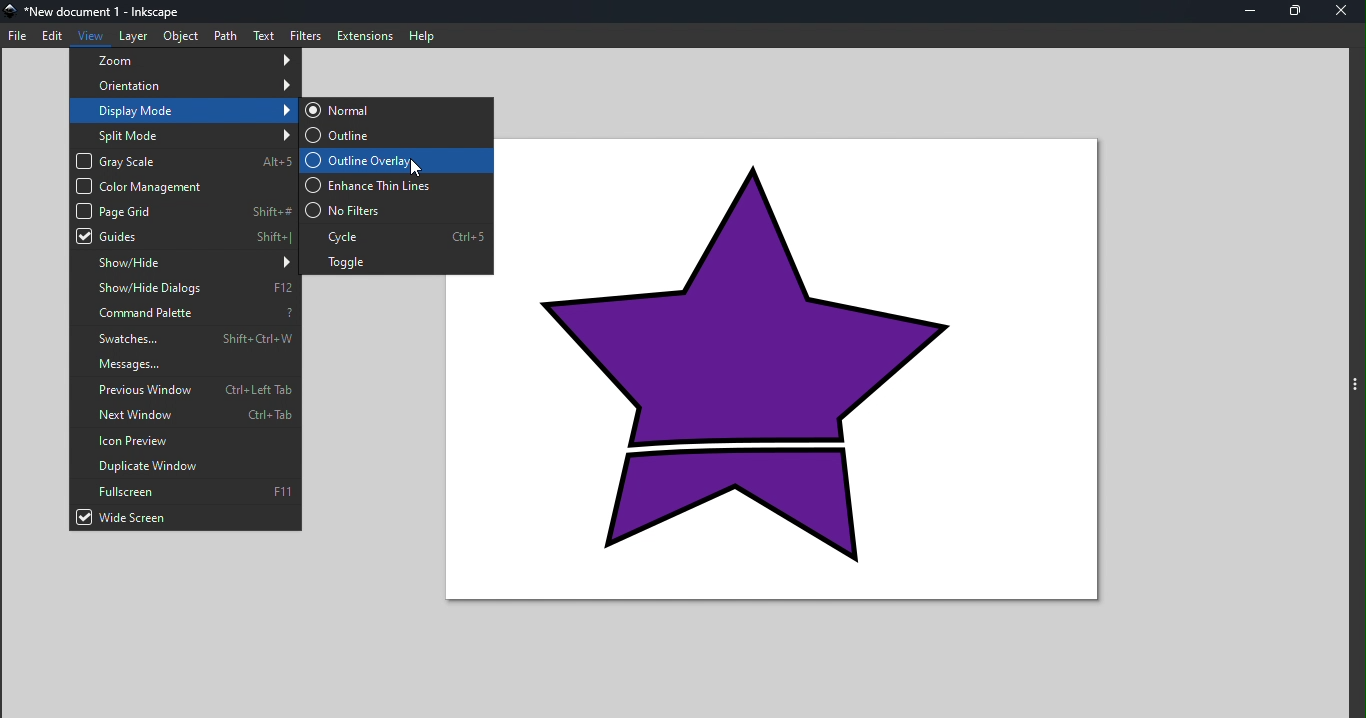  I want to click on Gray scale, so click(186, 160).